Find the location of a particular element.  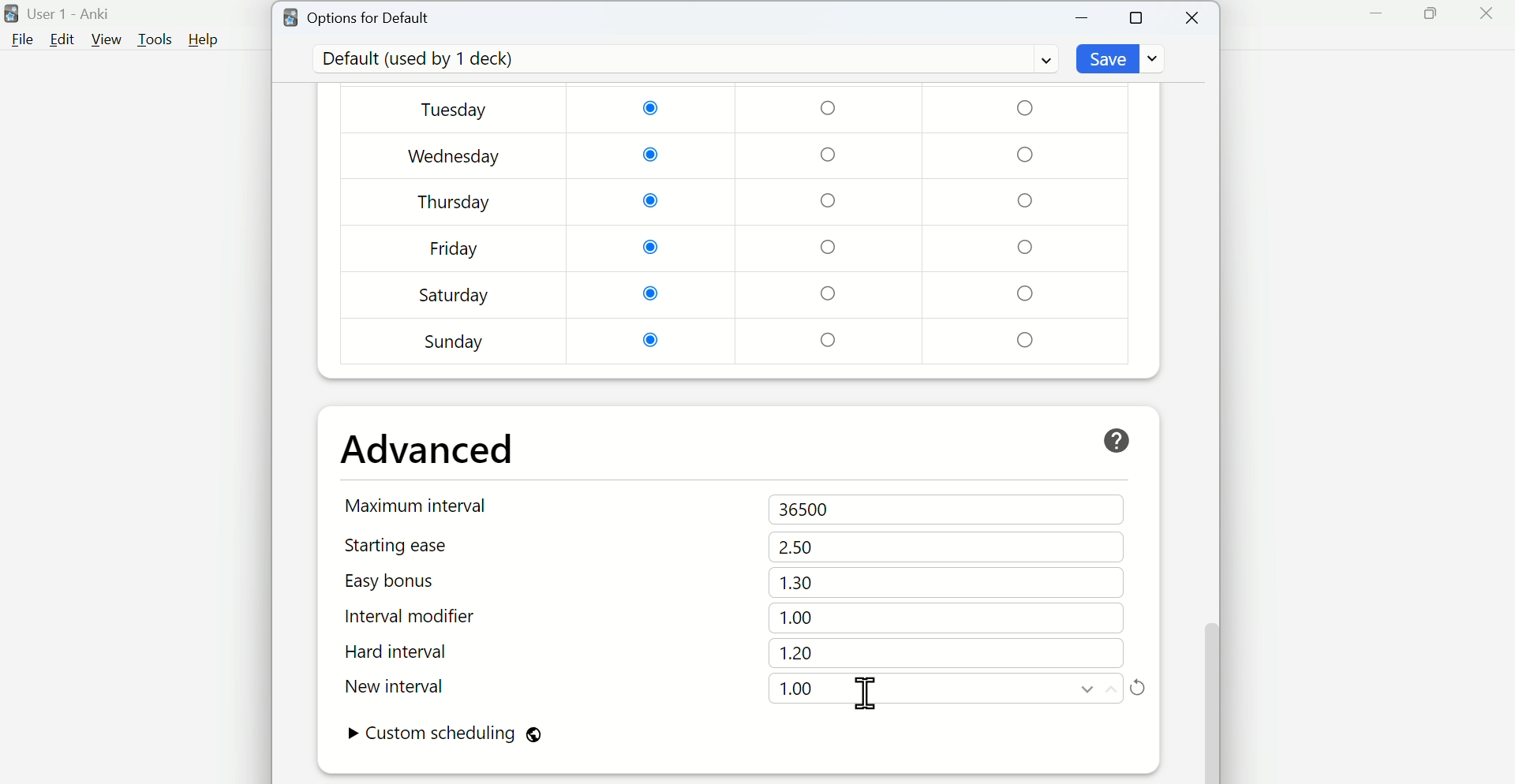

Tuesday is located at coordinates (457, 111).